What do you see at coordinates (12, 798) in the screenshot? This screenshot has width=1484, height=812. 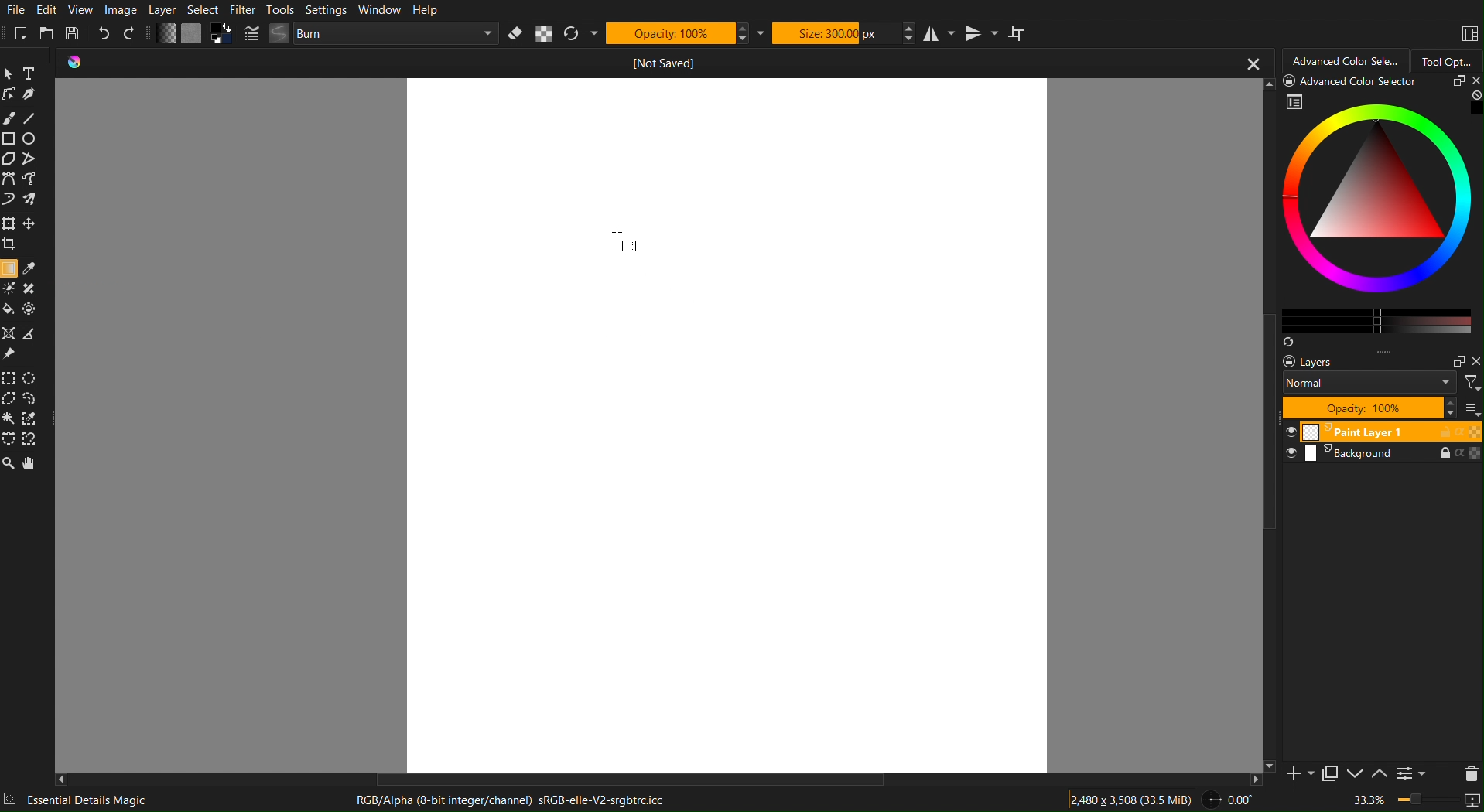 I see `details` at bounding box center [12, 798].